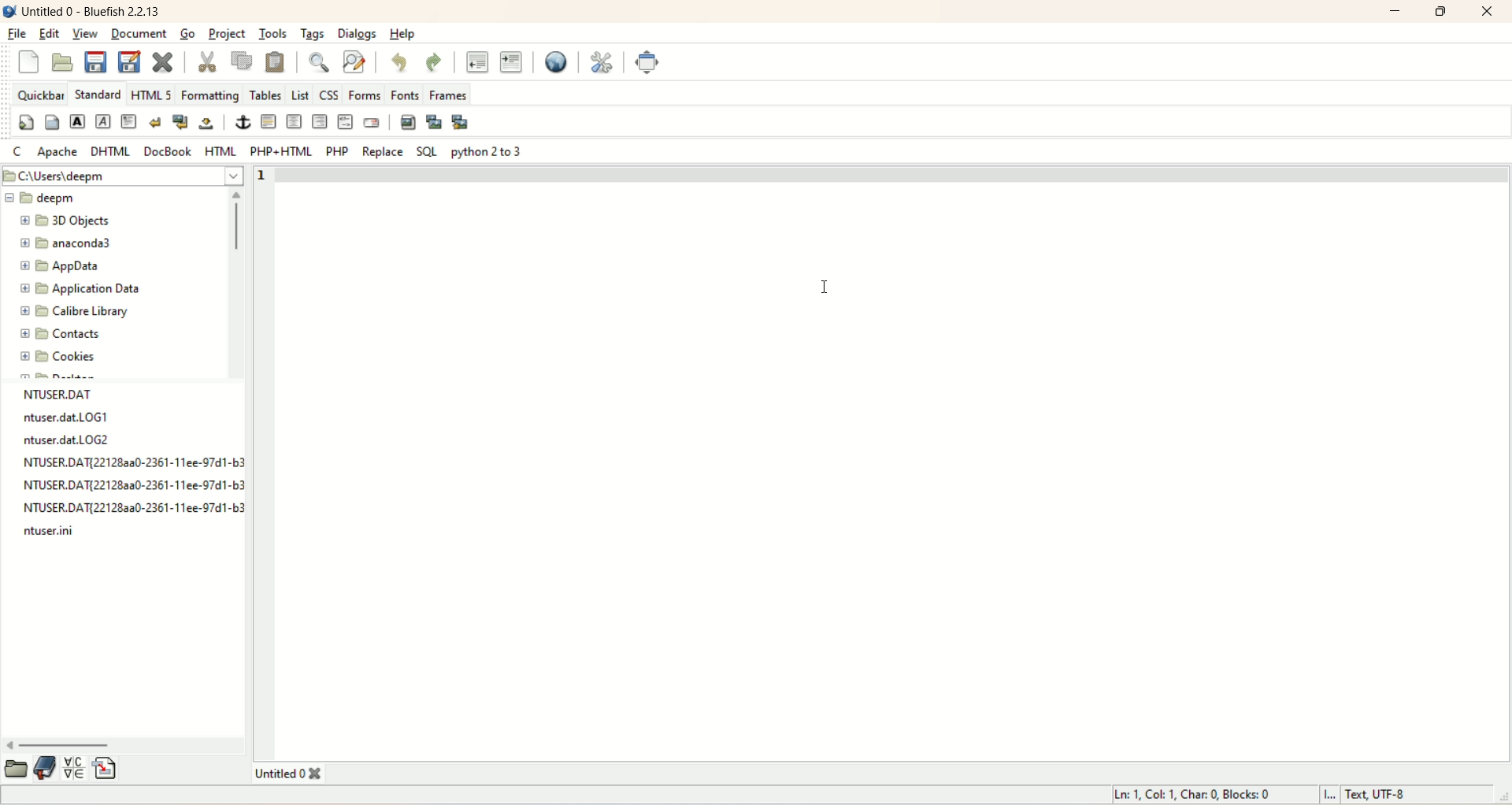 The image size is (1512, 805). Describe the element at coordinates (1329, 796) in the screenshot. I see `I` at that location.